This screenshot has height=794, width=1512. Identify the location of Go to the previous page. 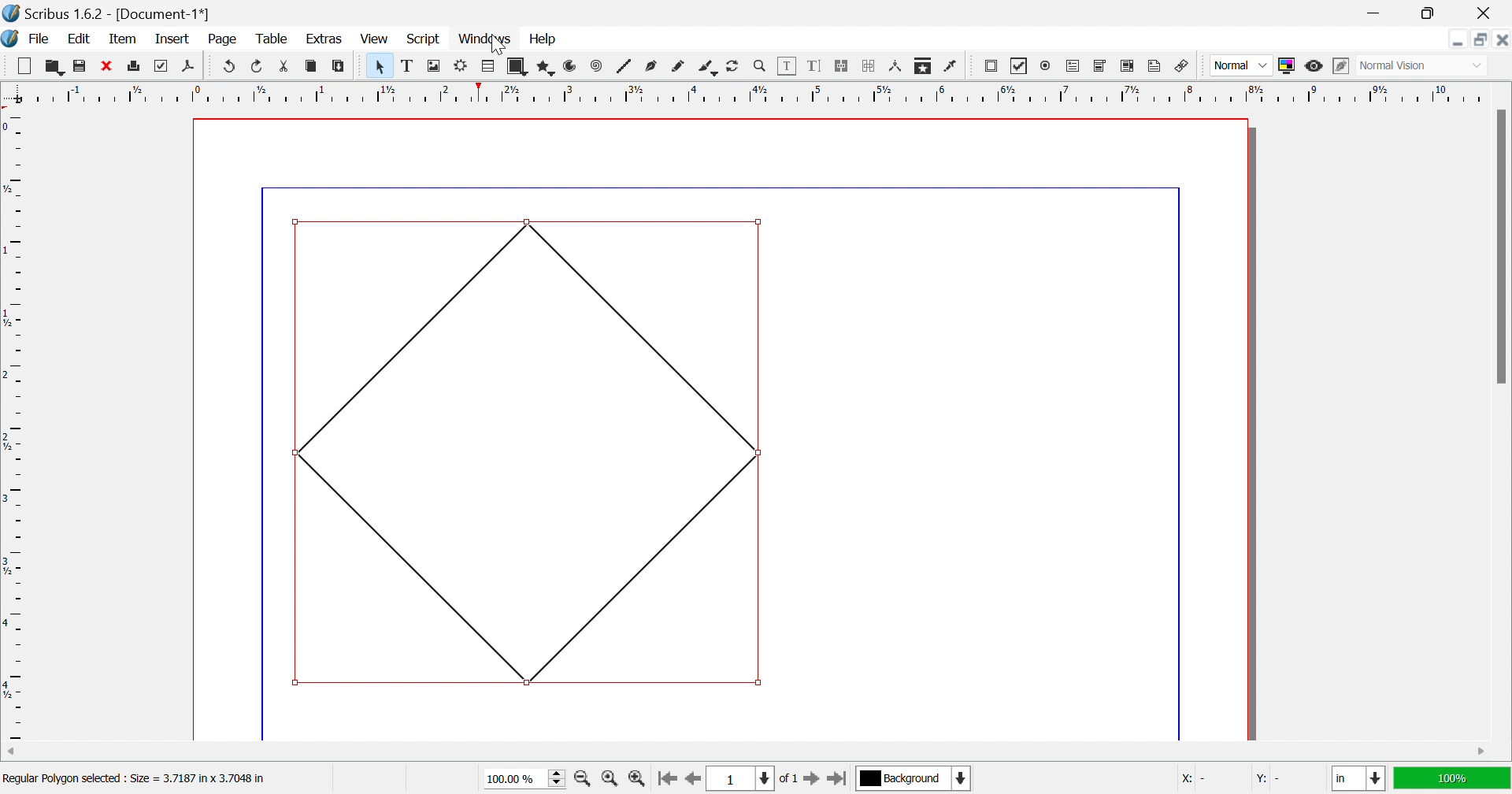
(691, 784).